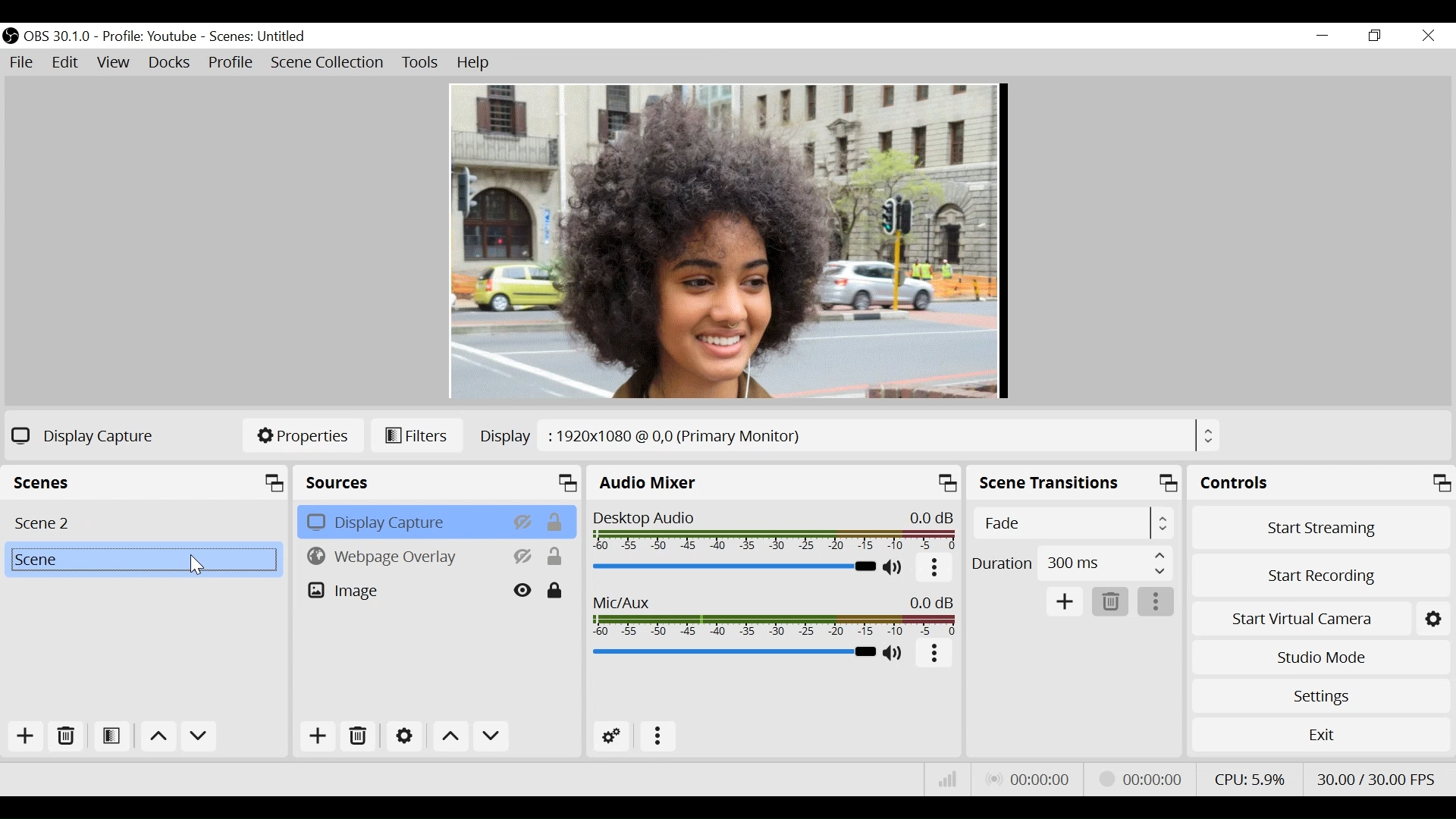 This screenshot has height=819, width=1456. What do you see at coordinates (732, 652) in the screenshot?
I see `Mic/Aux` at bounding box center [732, 652].